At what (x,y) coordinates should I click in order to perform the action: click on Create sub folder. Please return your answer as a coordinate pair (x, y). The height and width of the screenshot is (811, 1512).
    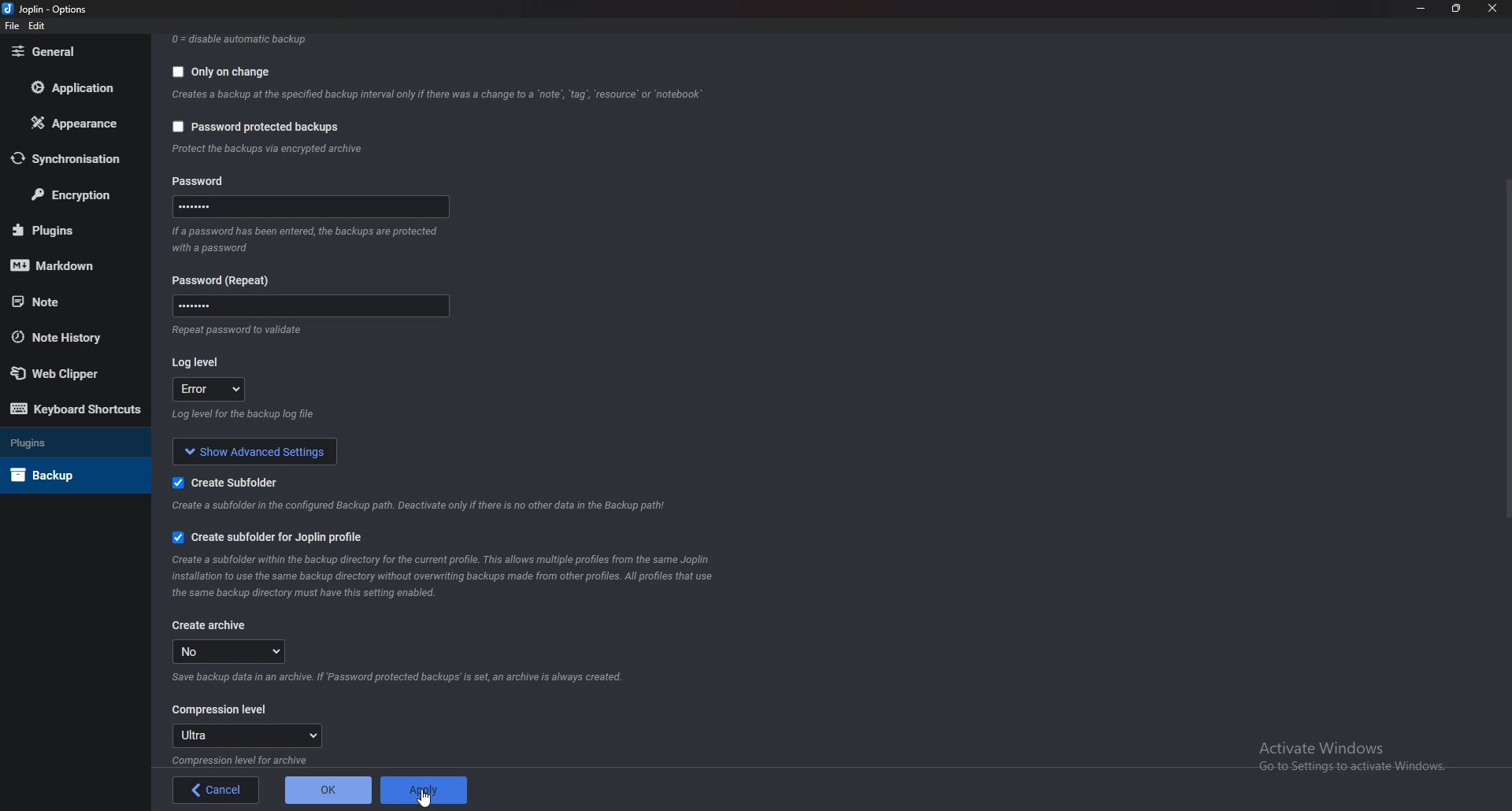
    Looking at the image, I should click on (235, 480).